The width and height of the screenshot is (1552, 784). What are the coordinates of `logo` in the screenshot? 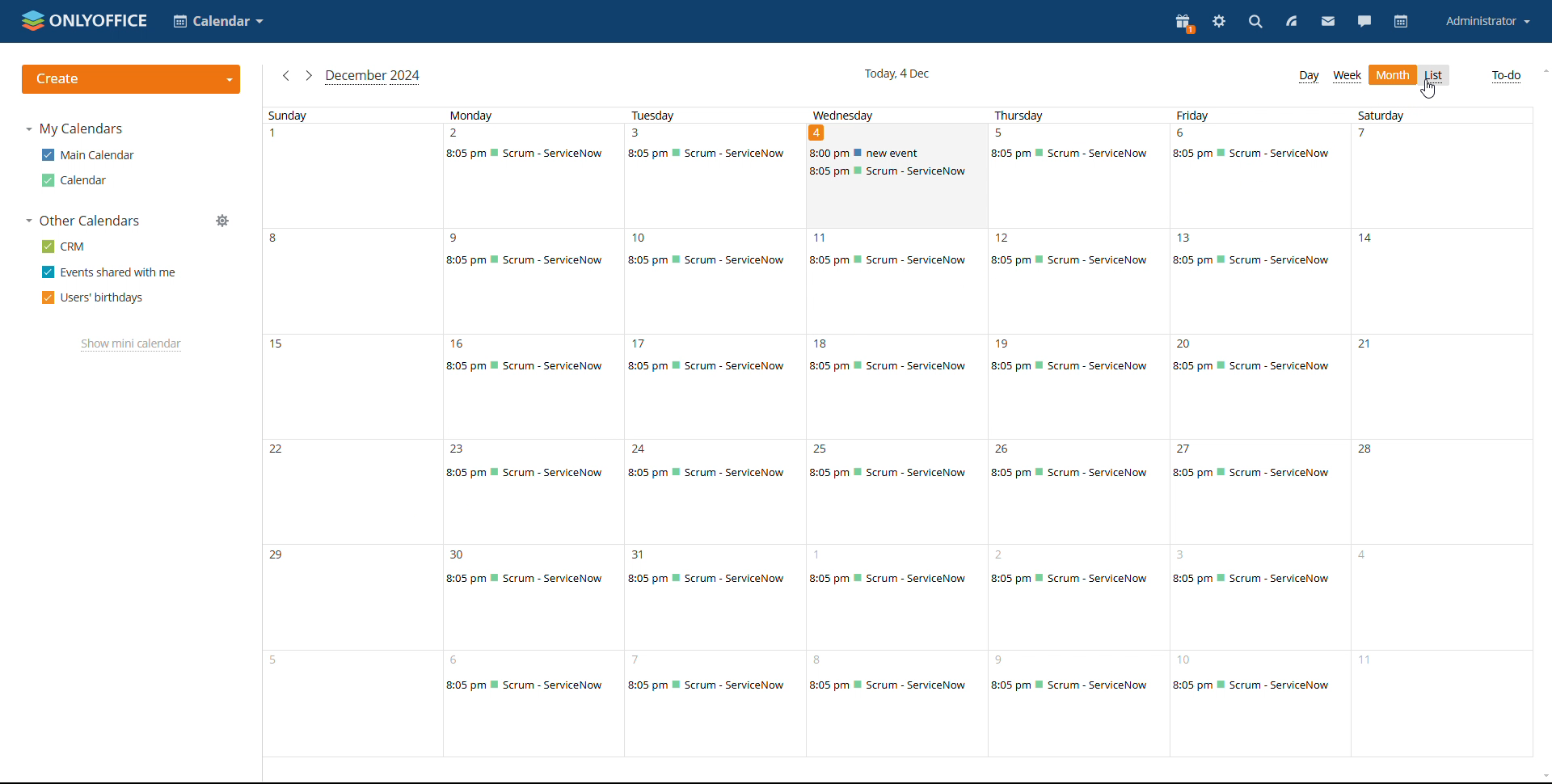 It's located at (85, 20).